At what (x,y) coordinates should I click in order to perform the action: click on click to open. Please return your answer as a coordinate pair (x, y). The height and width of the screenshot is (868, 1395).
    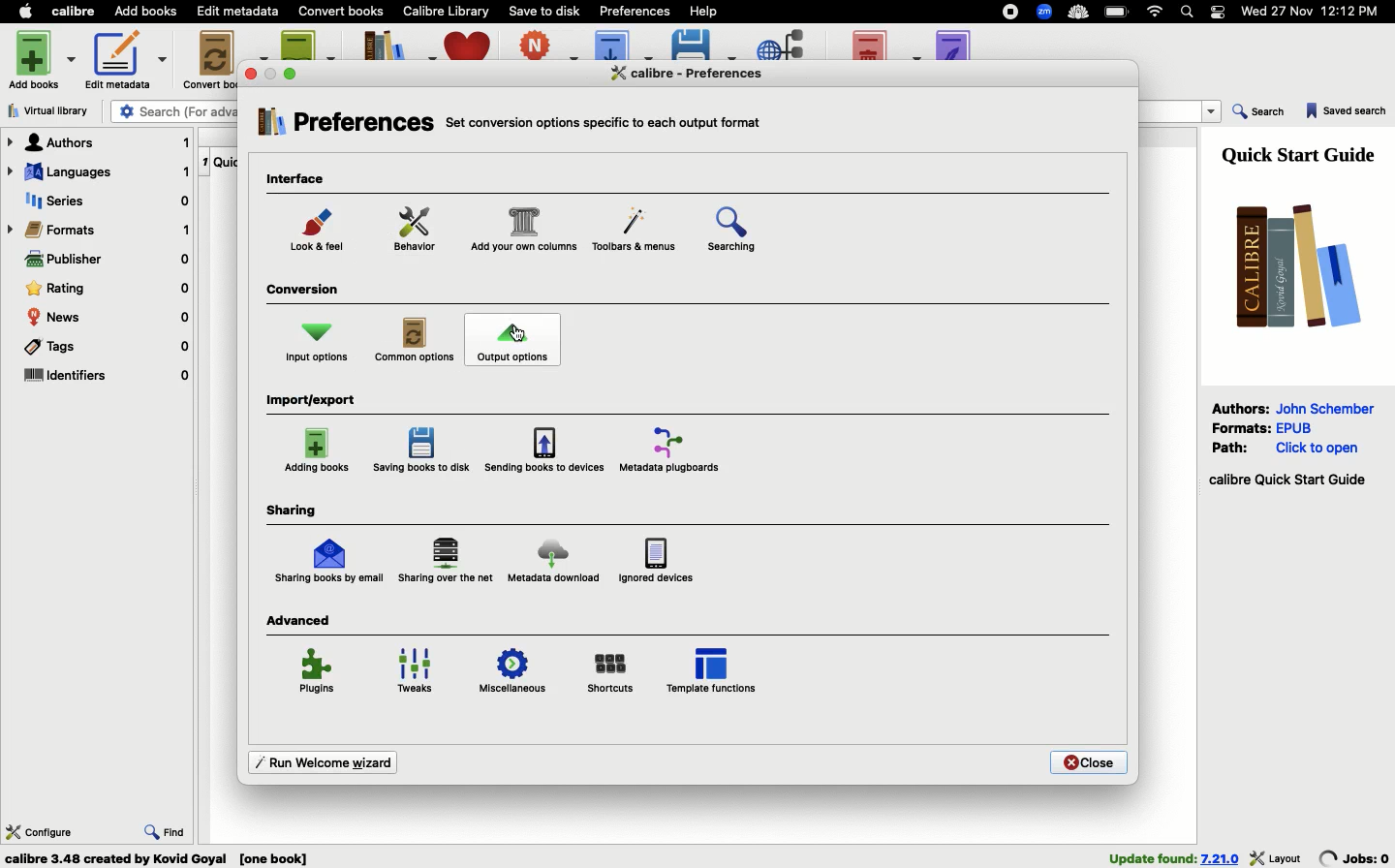
    Looking at the image, I should click on (1317, 449).